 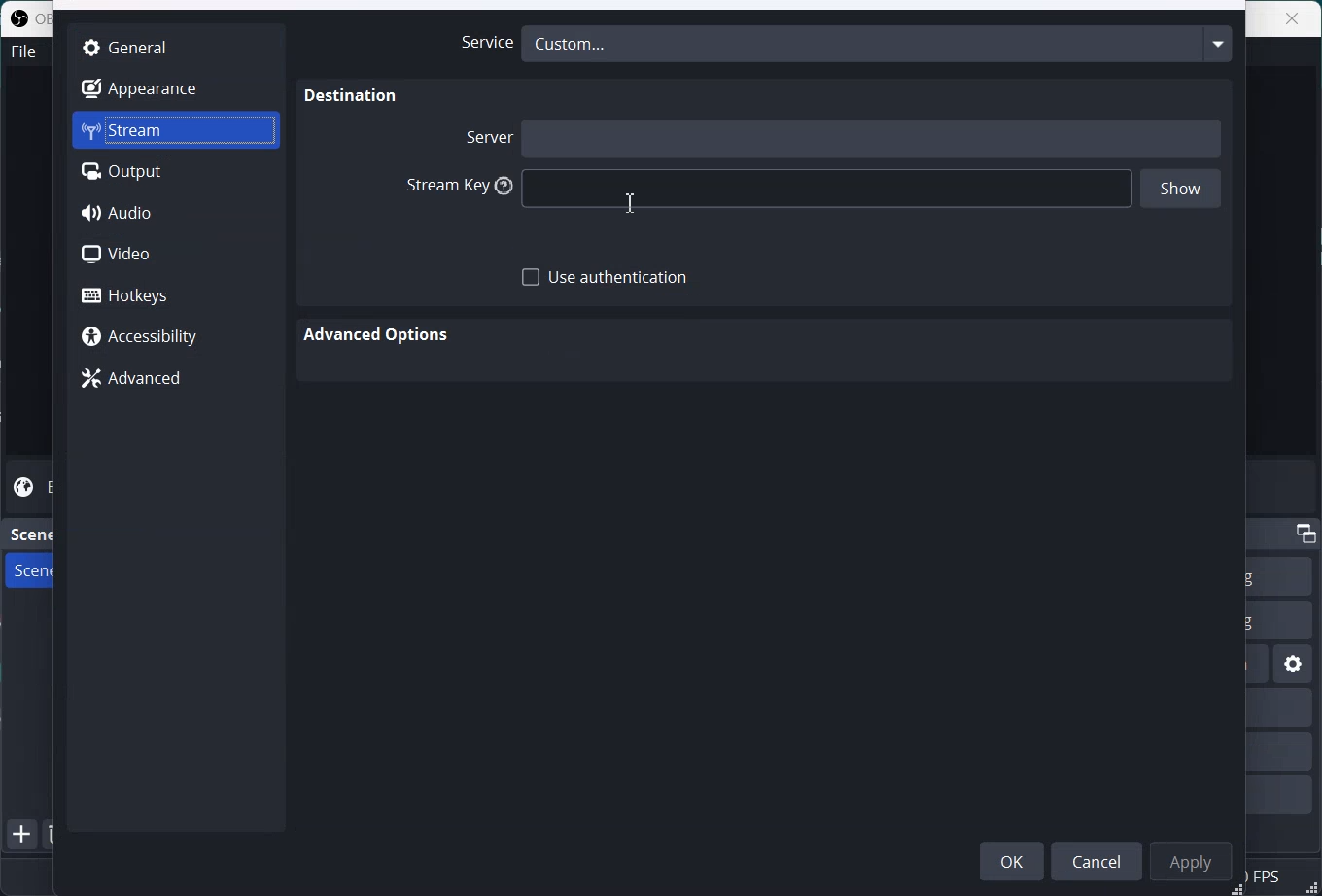 I want to click on Hotkeys, so click(x=177, y=294).